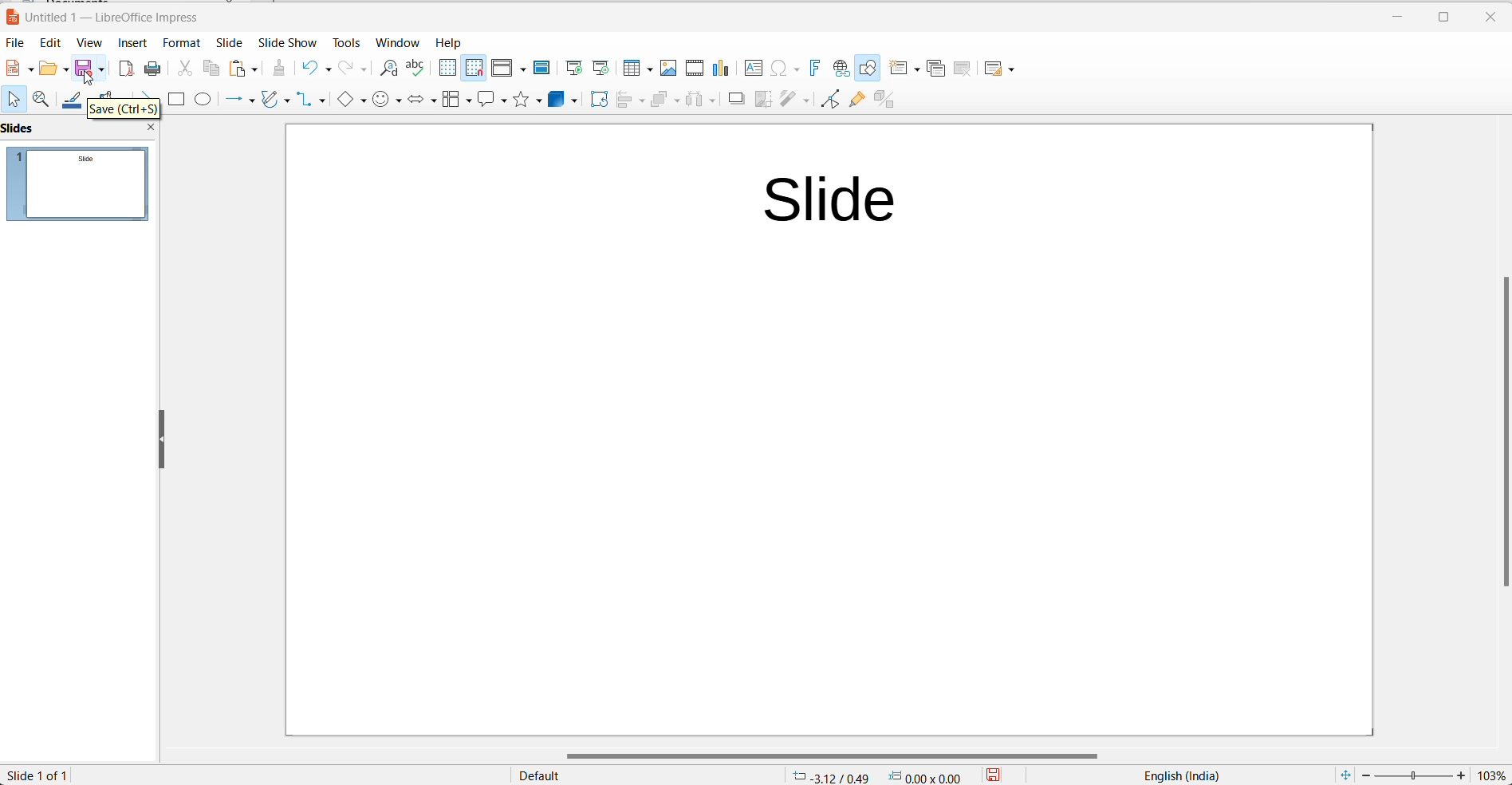 The image size is (1512, 785). I want to click on close, so click(1487, 18).